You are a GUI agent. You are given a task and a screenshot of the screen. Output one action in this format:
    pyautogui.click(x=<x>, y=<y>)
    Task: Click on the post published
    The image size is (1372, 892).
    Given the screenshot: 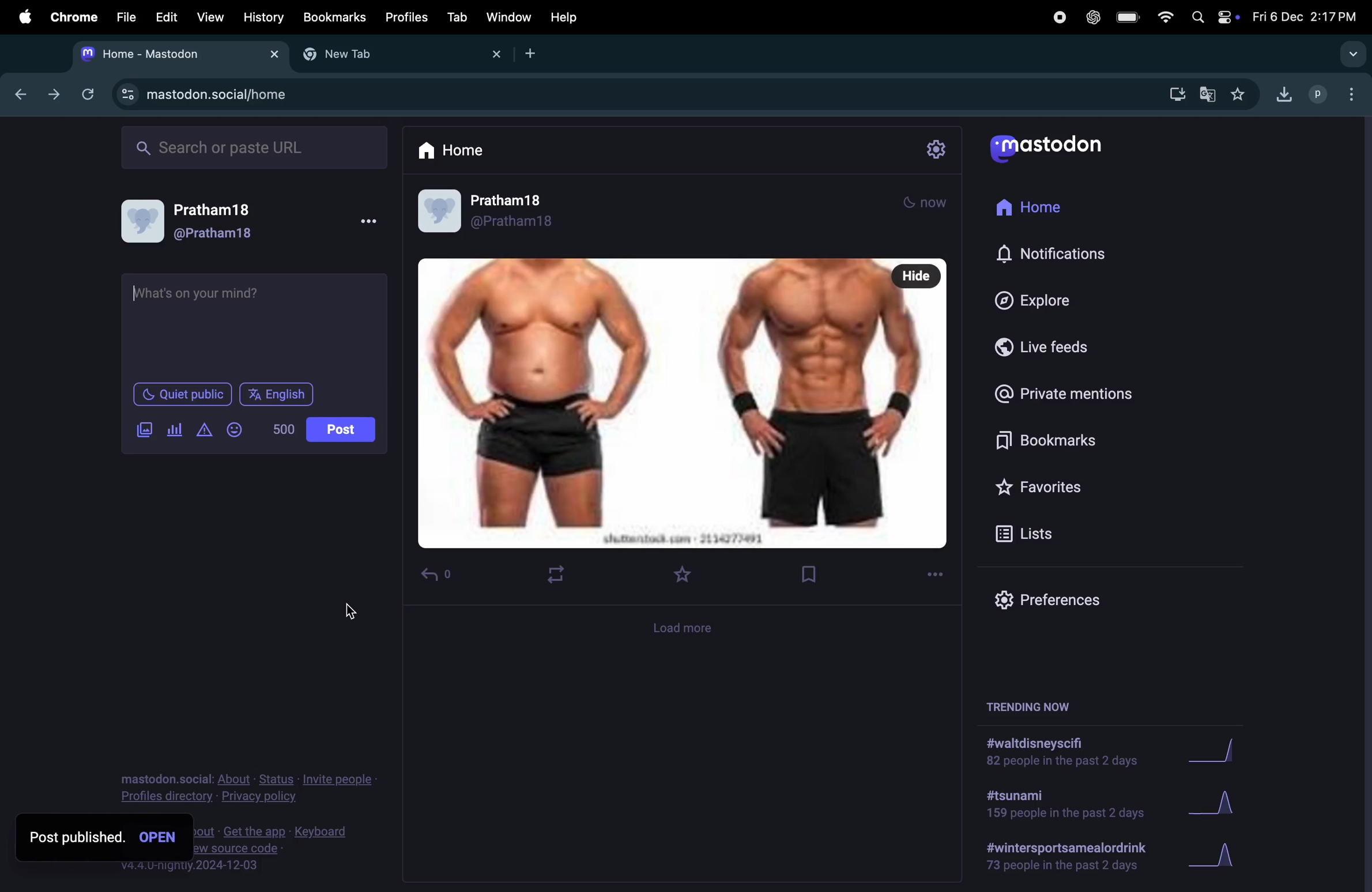 What is the action you would take?
    pyautogui.click(x=75, y=838)
    